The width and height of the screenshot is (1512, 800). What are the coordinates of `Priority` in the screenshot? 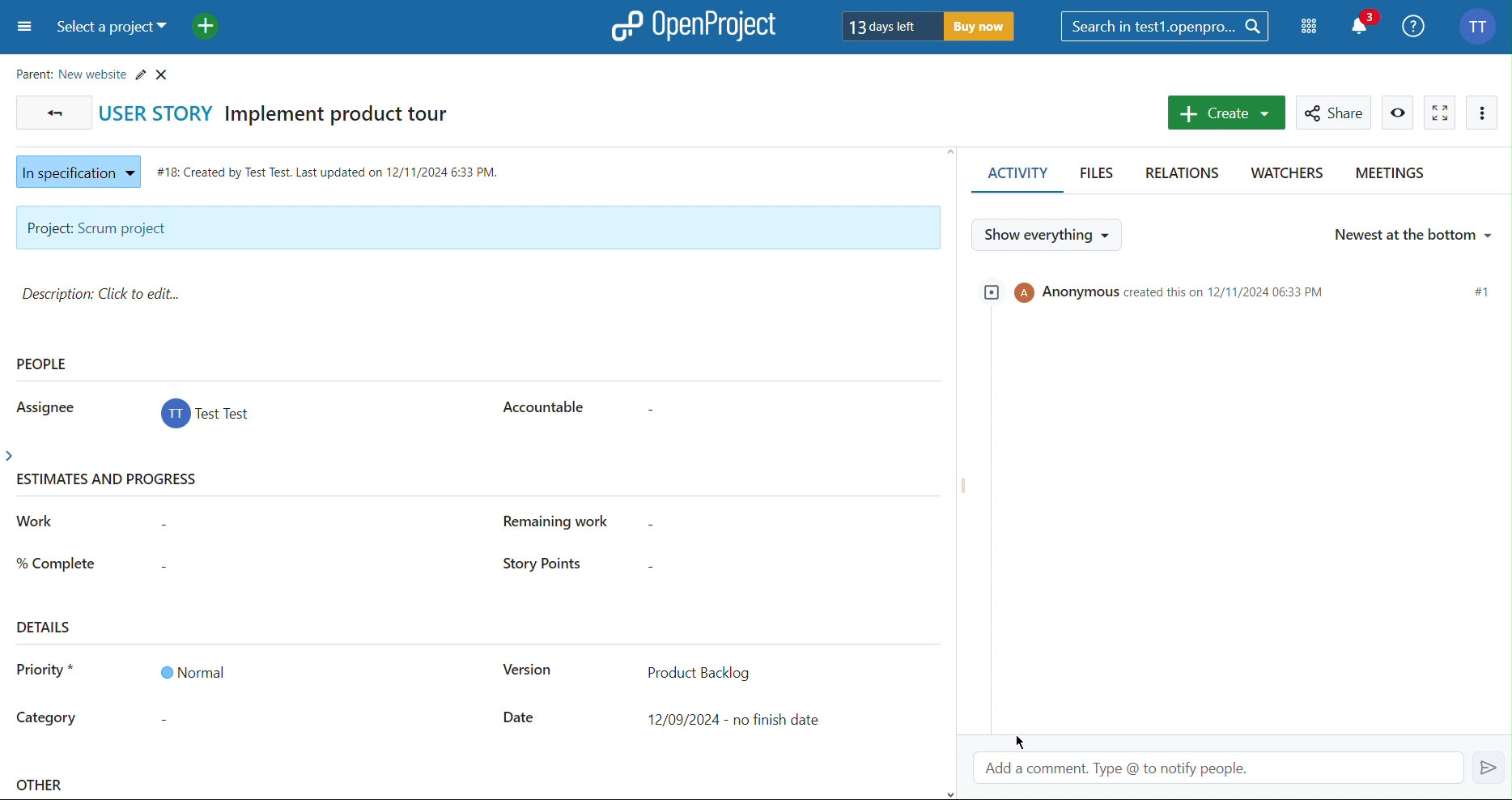 It's located at (45, 673).